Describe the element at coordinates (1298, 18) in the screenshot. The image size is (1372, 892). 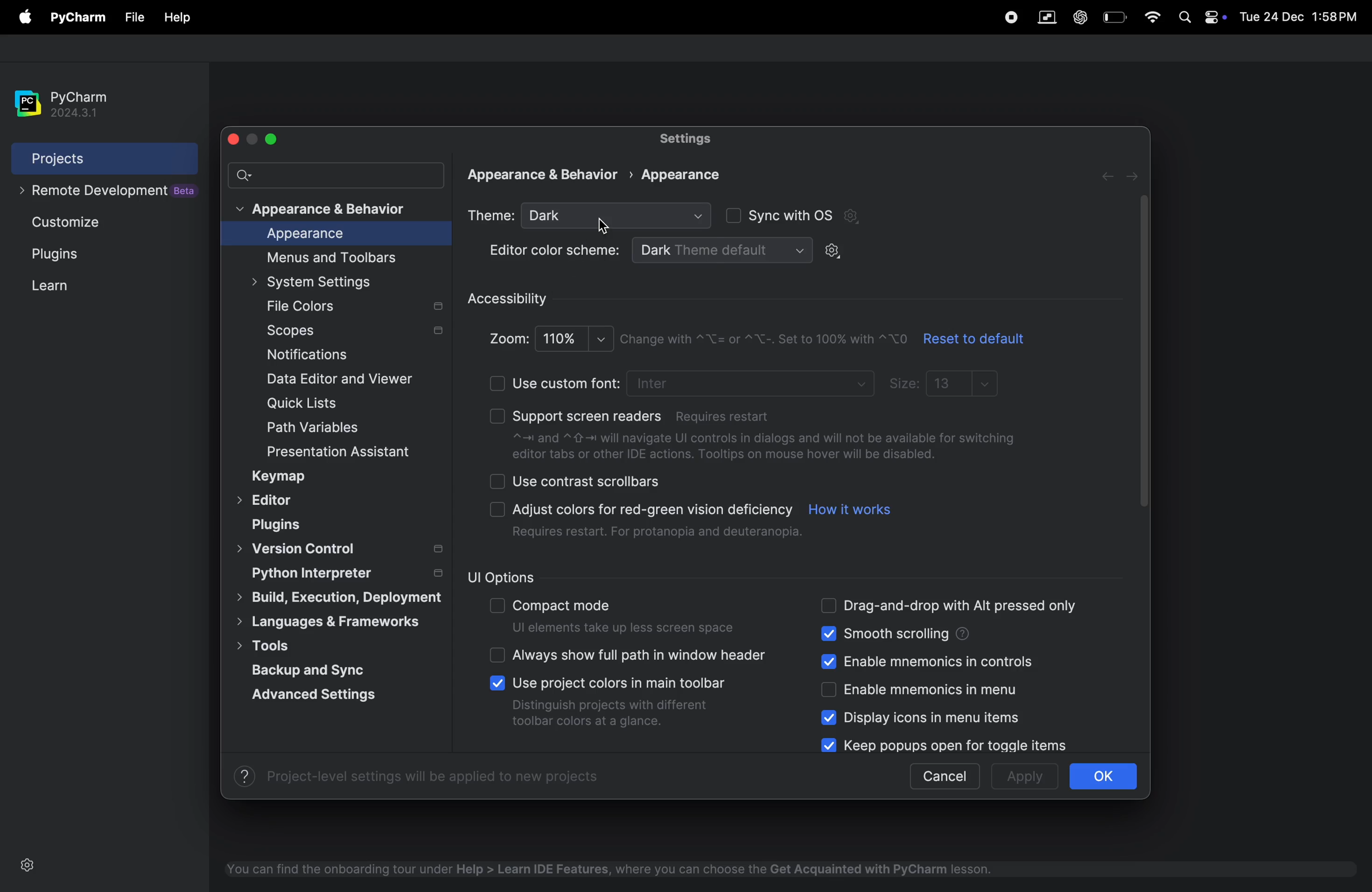
I see `Tue 24 Dec 1:58PM` at that location.